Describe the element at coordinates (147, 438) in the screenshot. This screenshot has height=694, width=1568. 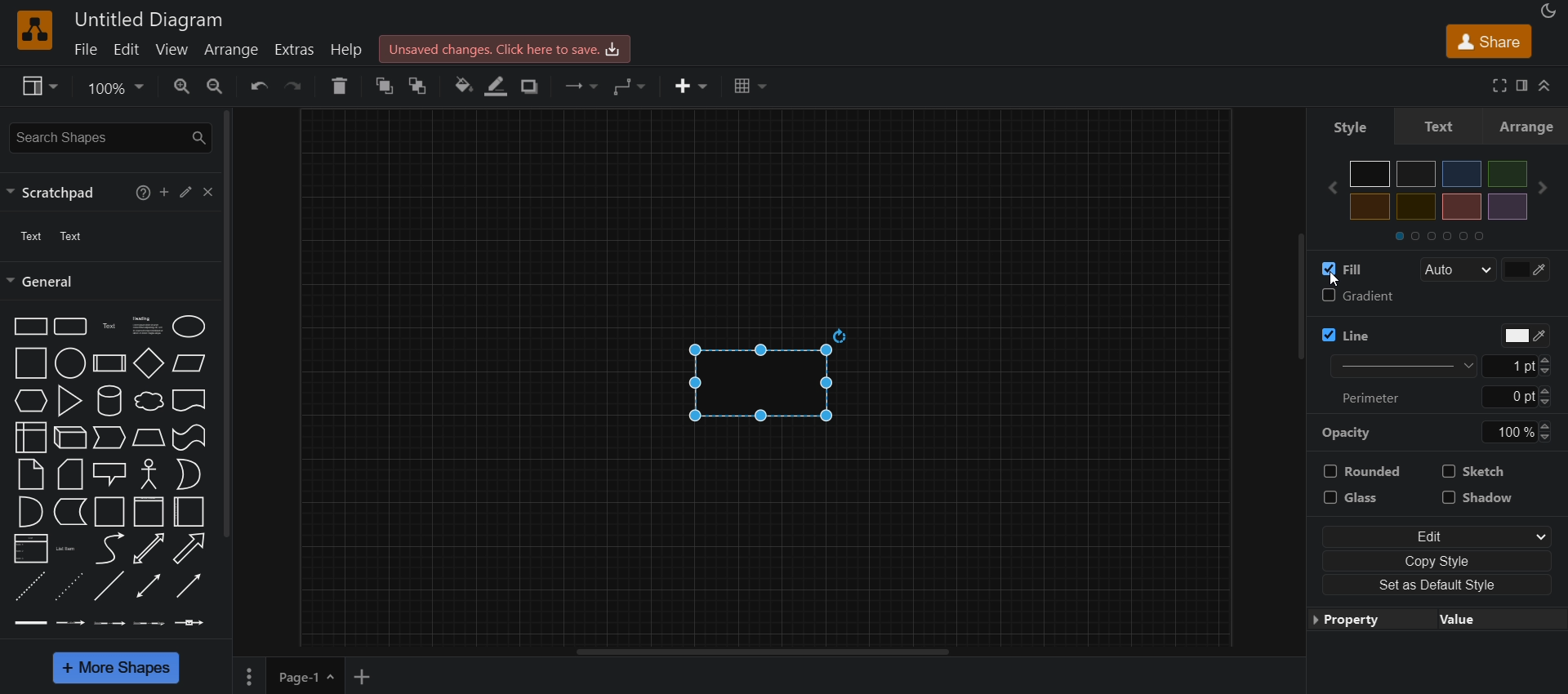
I see `trapezoid` at that location.